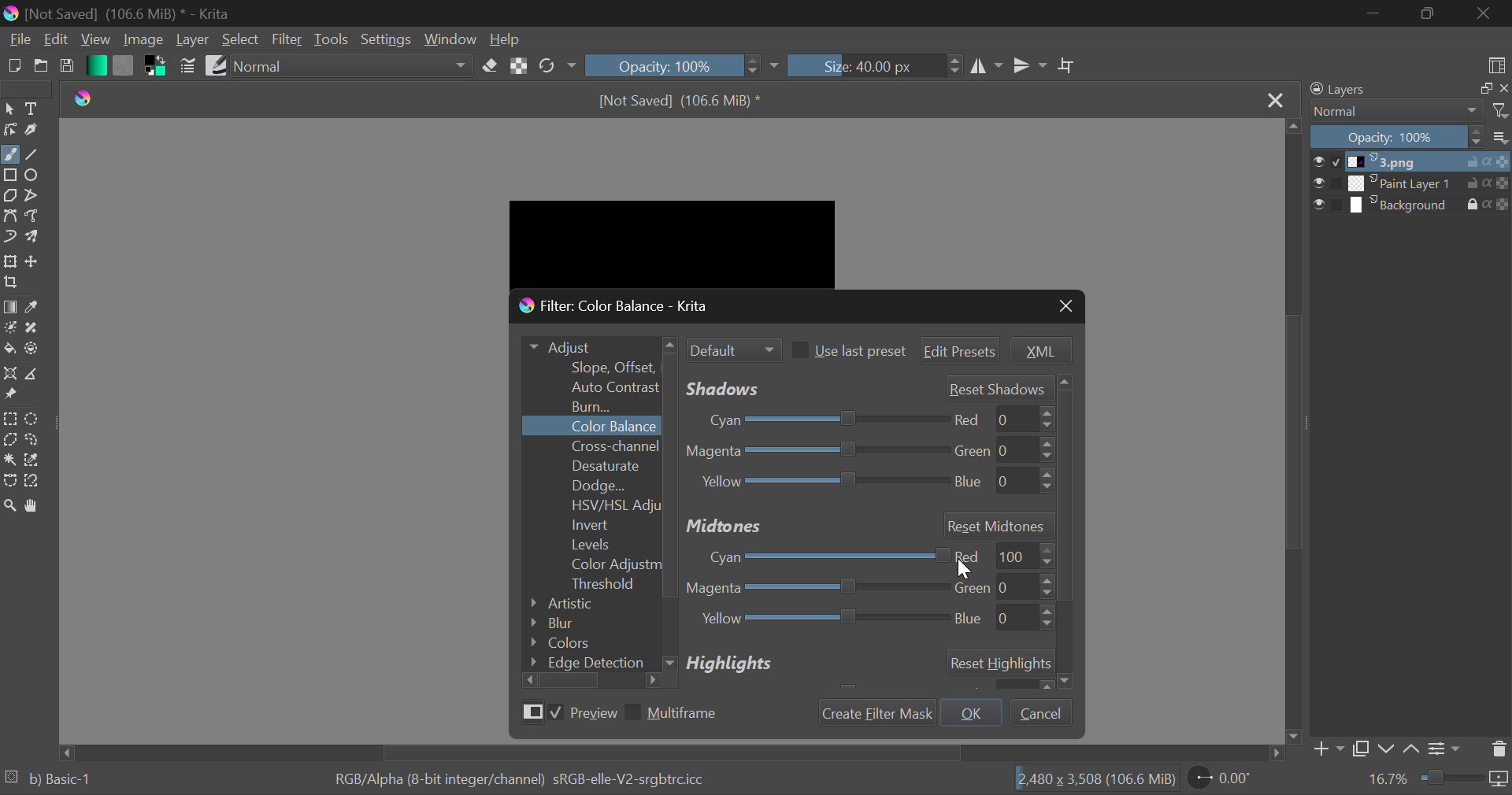  What do you see at coordinates (13, 397) in the screenshot?
I see `Reference Images` at bounding box center [13, 397].